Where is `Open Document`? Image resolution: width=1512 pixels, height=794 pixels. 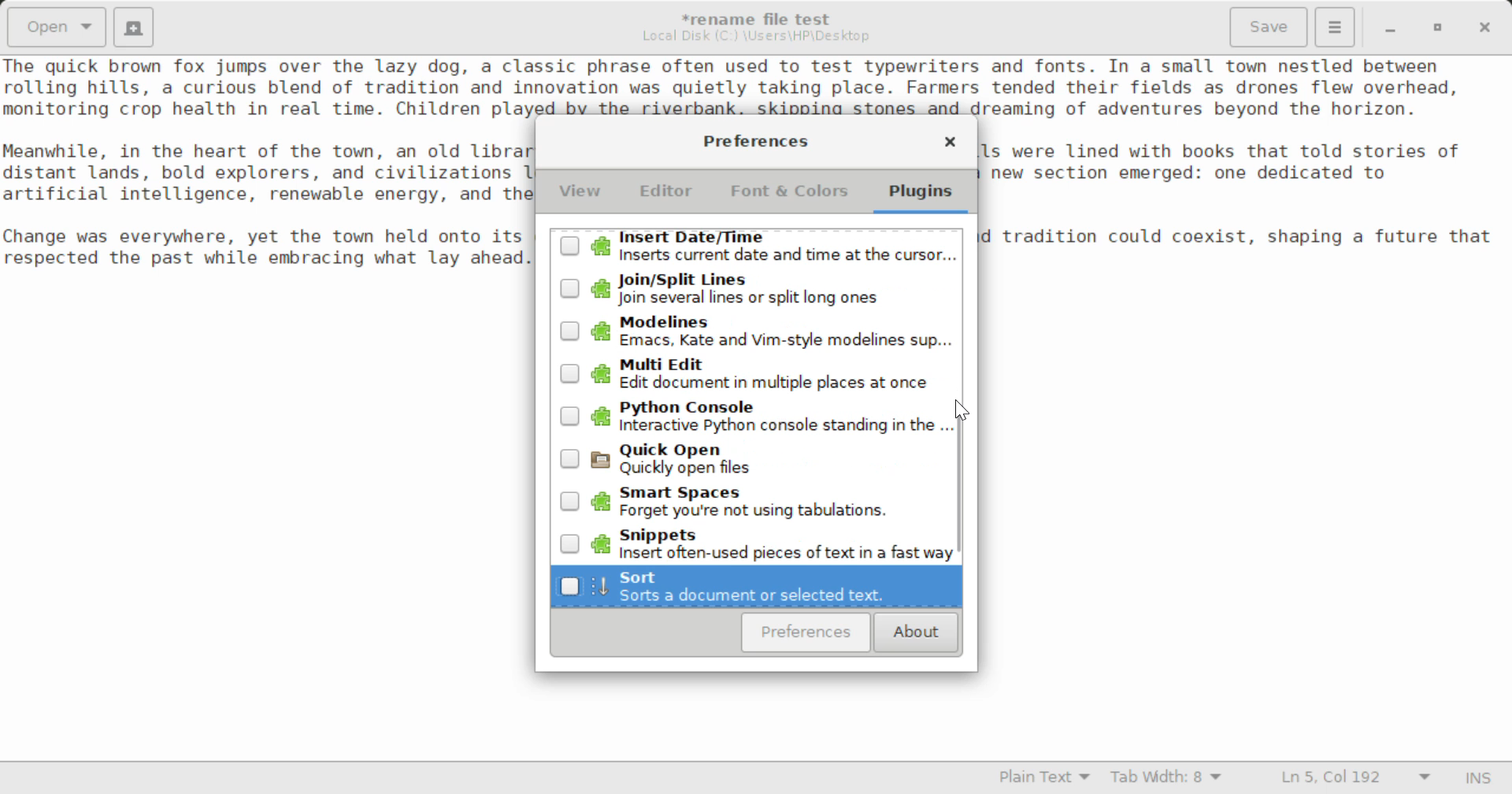
Open Document is located at coordinates (57, 25).